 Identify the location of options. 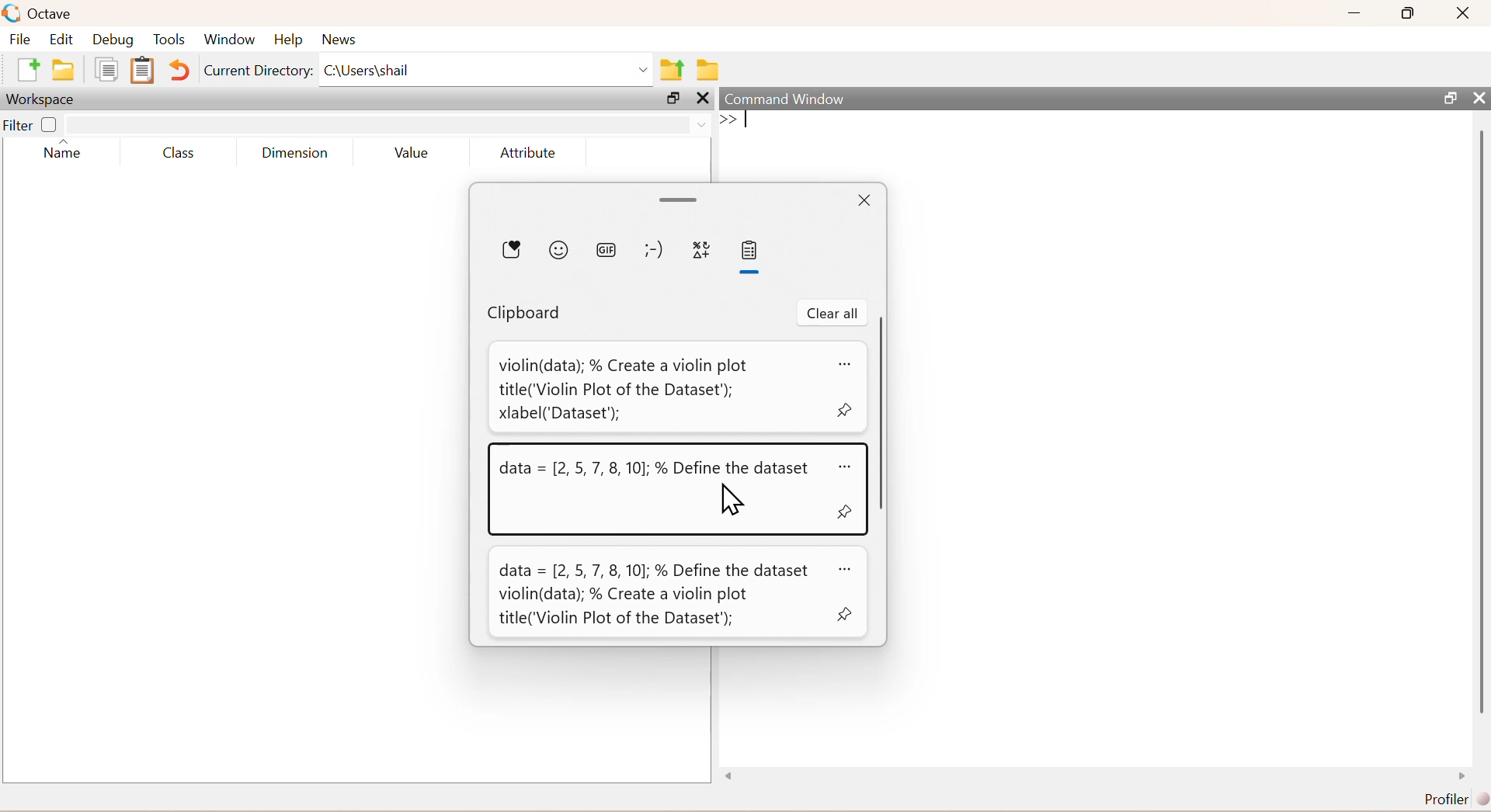
(847, 468).